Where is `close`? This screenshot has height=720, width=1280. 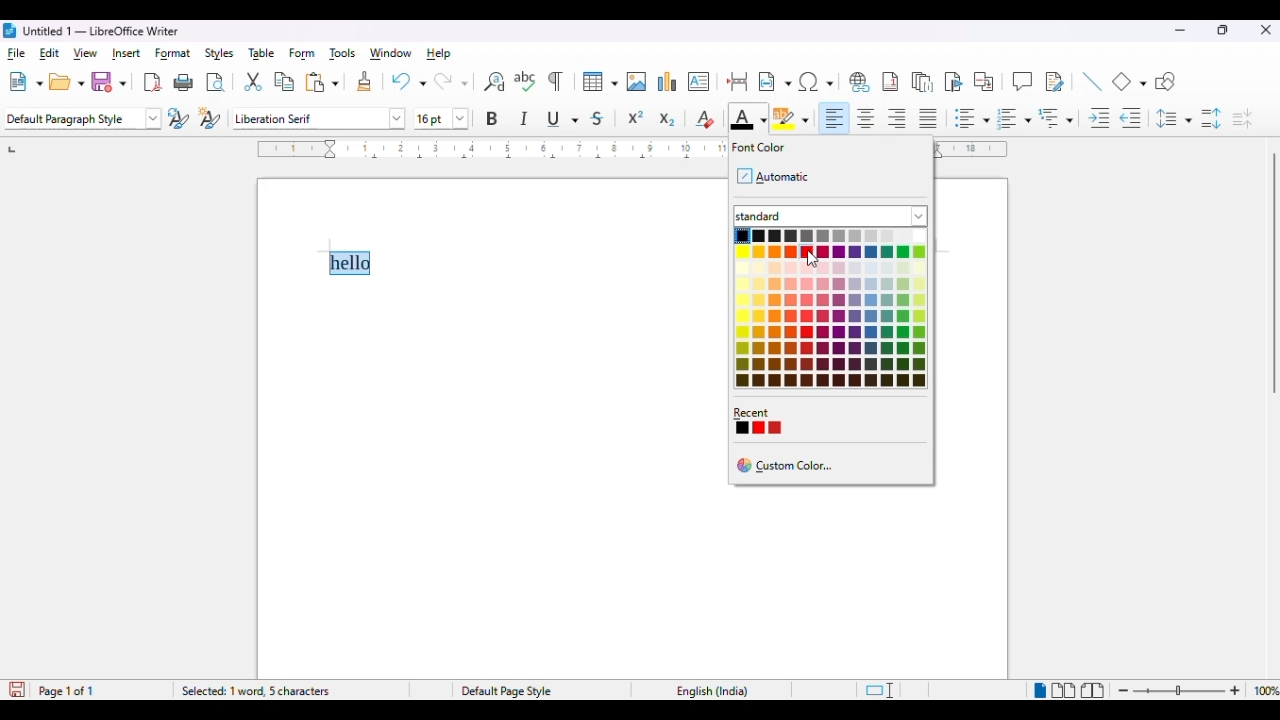 close is located at coordinates (1266, 31).